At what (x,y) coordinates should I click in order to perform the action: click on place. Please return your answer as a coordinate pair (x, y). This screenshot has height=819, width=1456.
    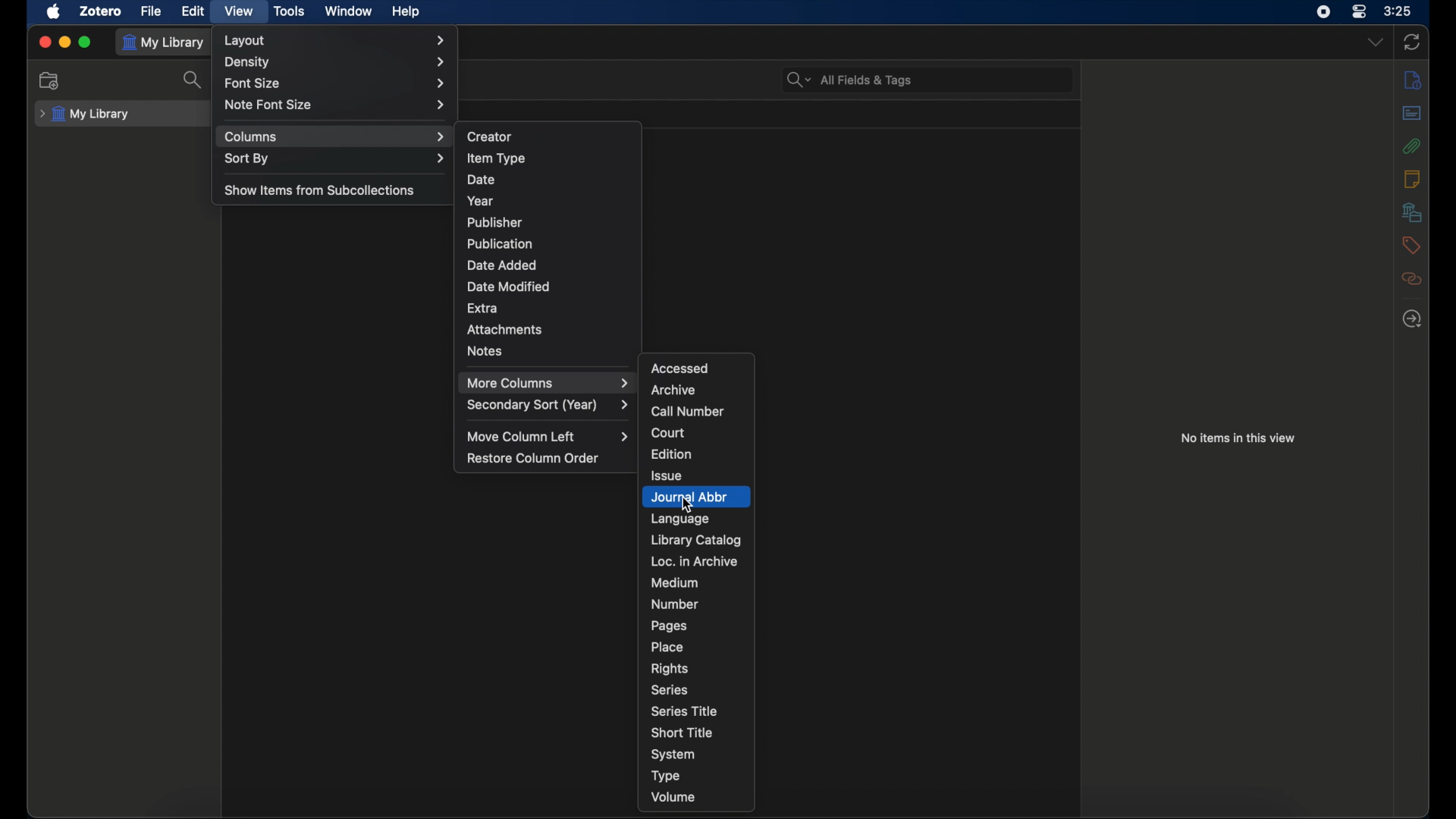
    Looking at the image, I should click on (668, 647).